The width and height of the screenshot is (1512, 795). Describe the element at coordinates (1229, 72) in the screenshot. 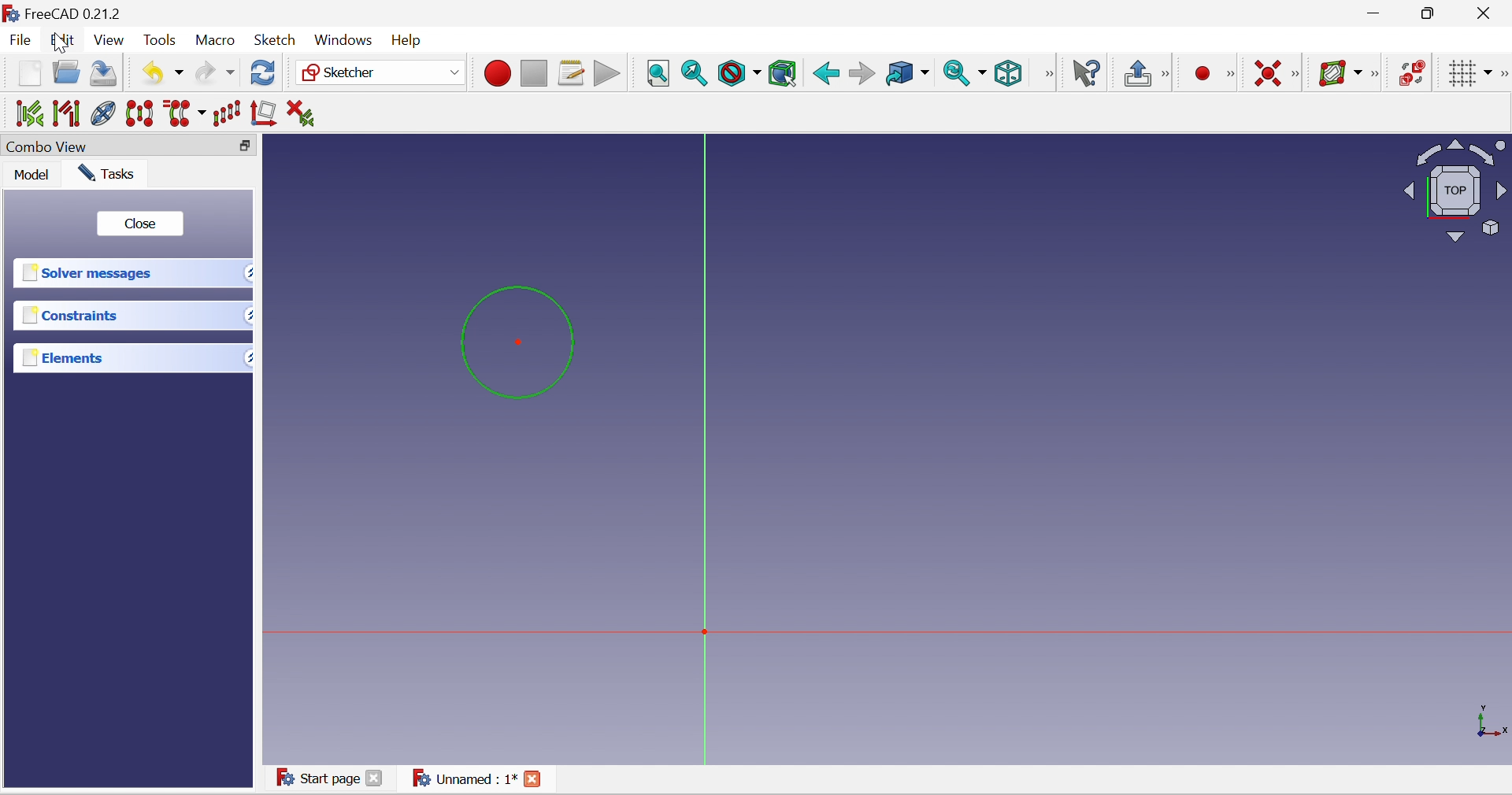

I see `[Sketcher geometries]` at that location.